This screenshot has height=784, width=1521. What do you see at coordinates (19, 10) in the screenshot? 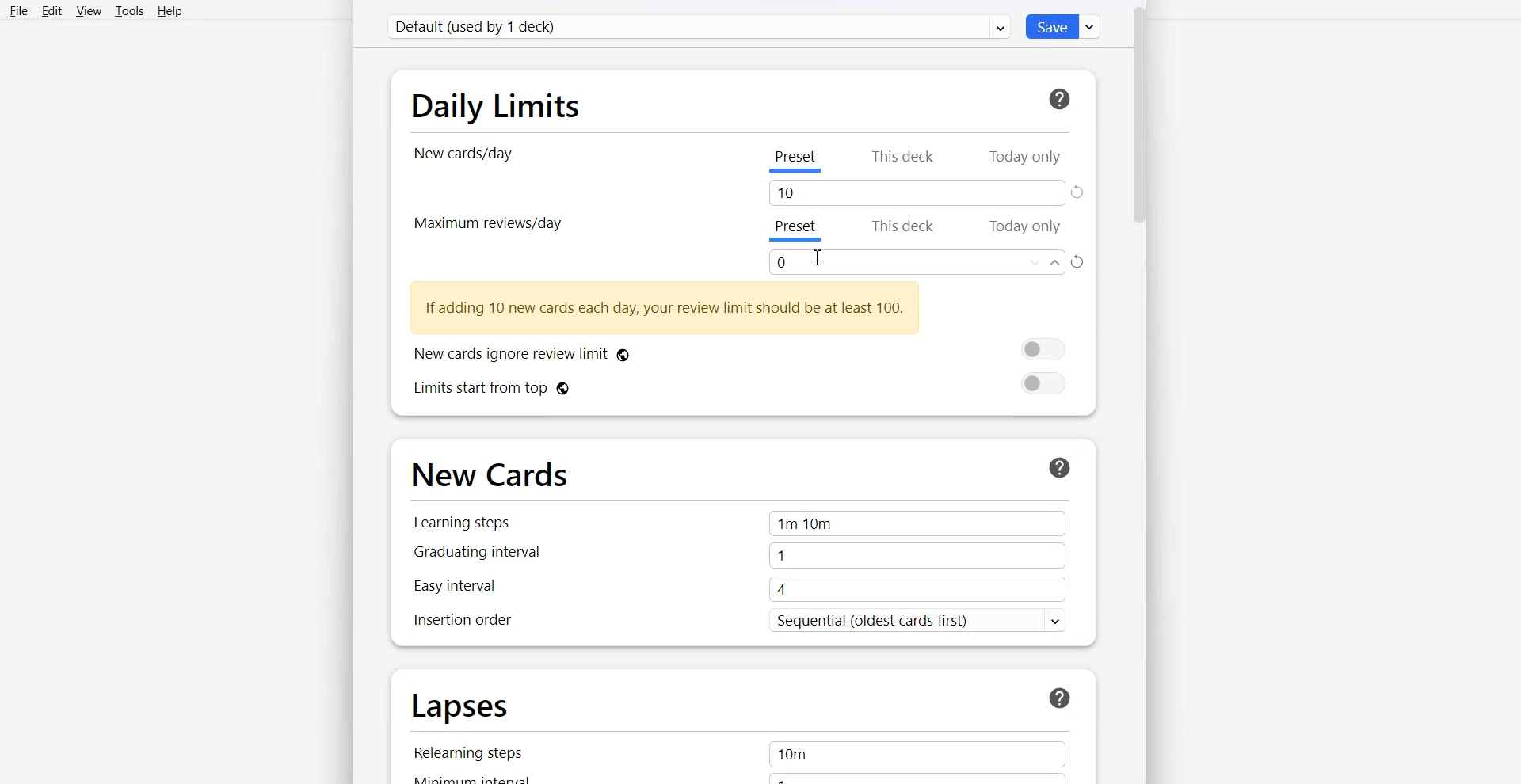
I see `File` at bounding box center [19, 10].